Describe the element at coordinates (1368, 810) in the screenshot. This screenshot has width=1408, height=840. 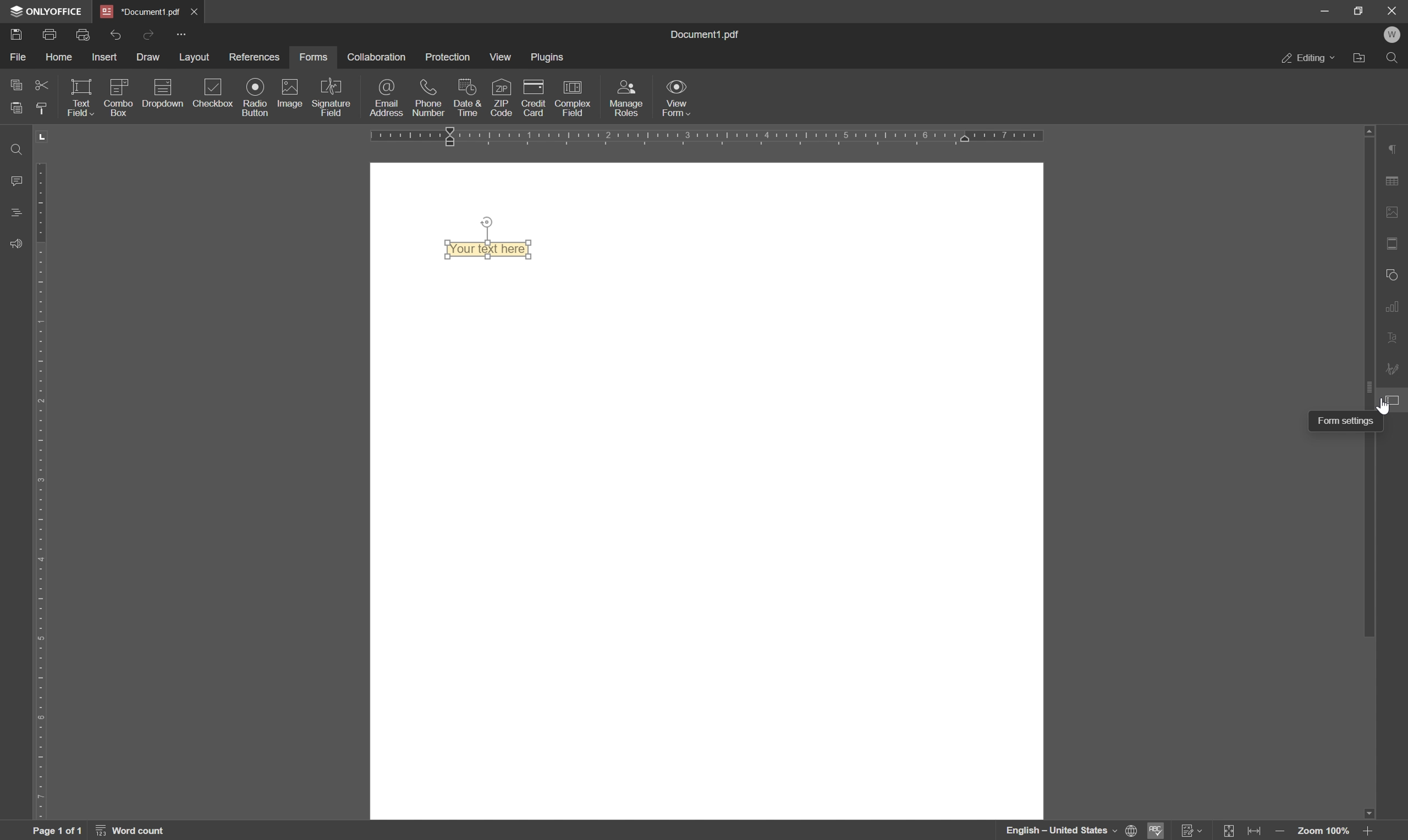
I see `scroll down` at that location.